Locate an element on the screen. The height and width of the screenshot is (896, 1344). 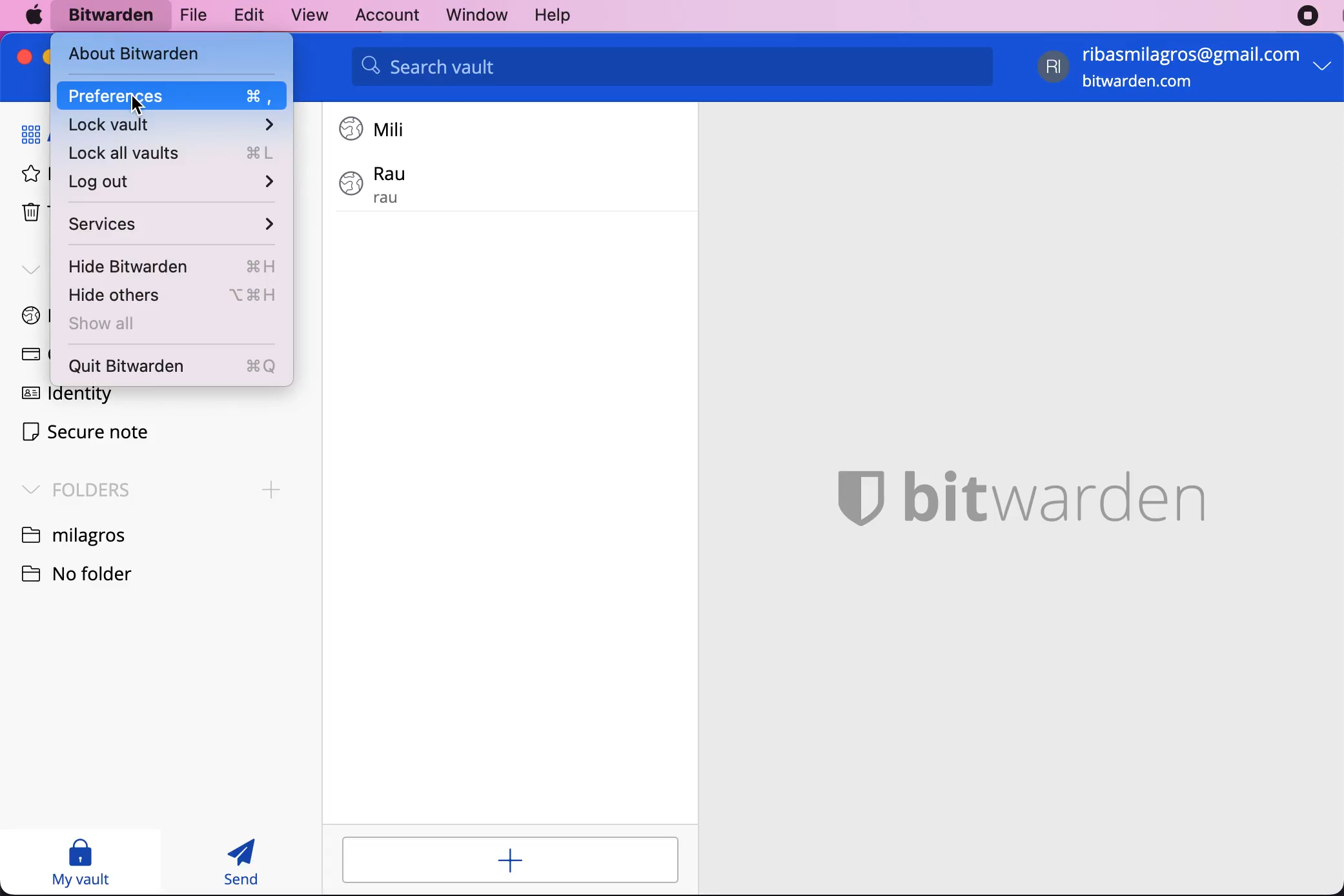
secure note is located at coordinates (85, 434).